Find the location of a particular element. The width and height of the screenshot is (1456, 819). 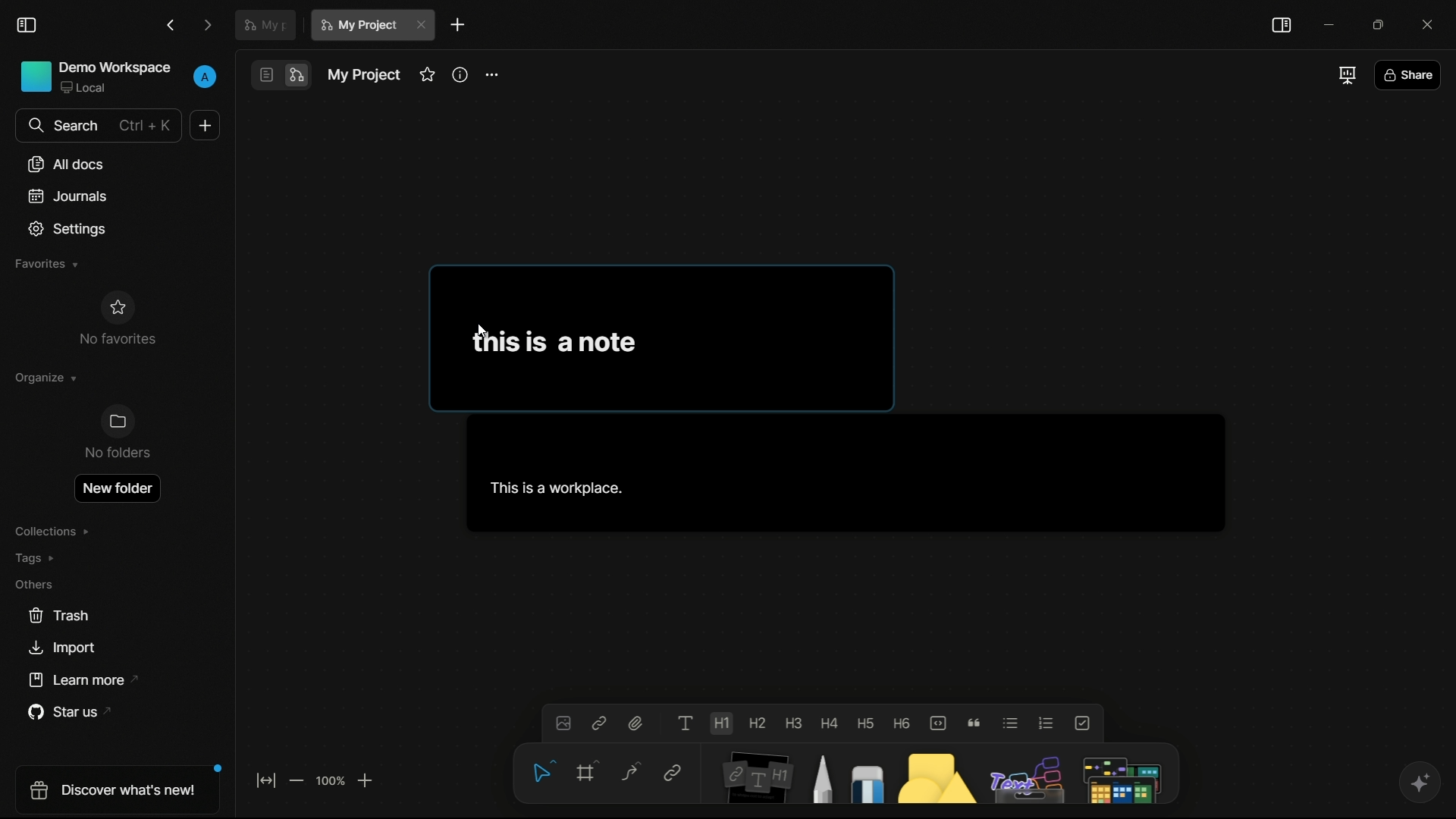

toggle sidebar is located at coordinates (28, 27).